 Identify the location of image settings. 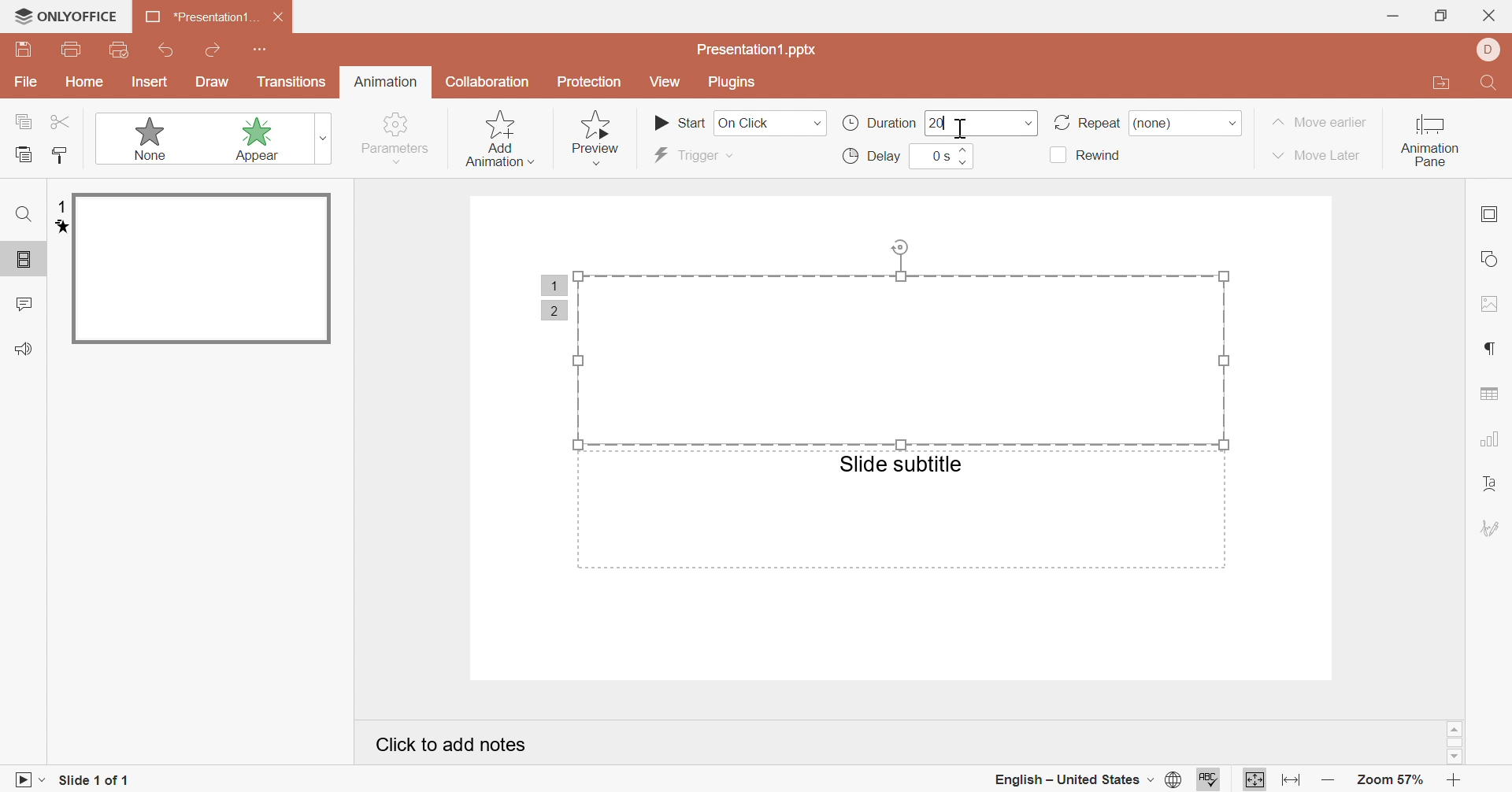
(1492, 305).